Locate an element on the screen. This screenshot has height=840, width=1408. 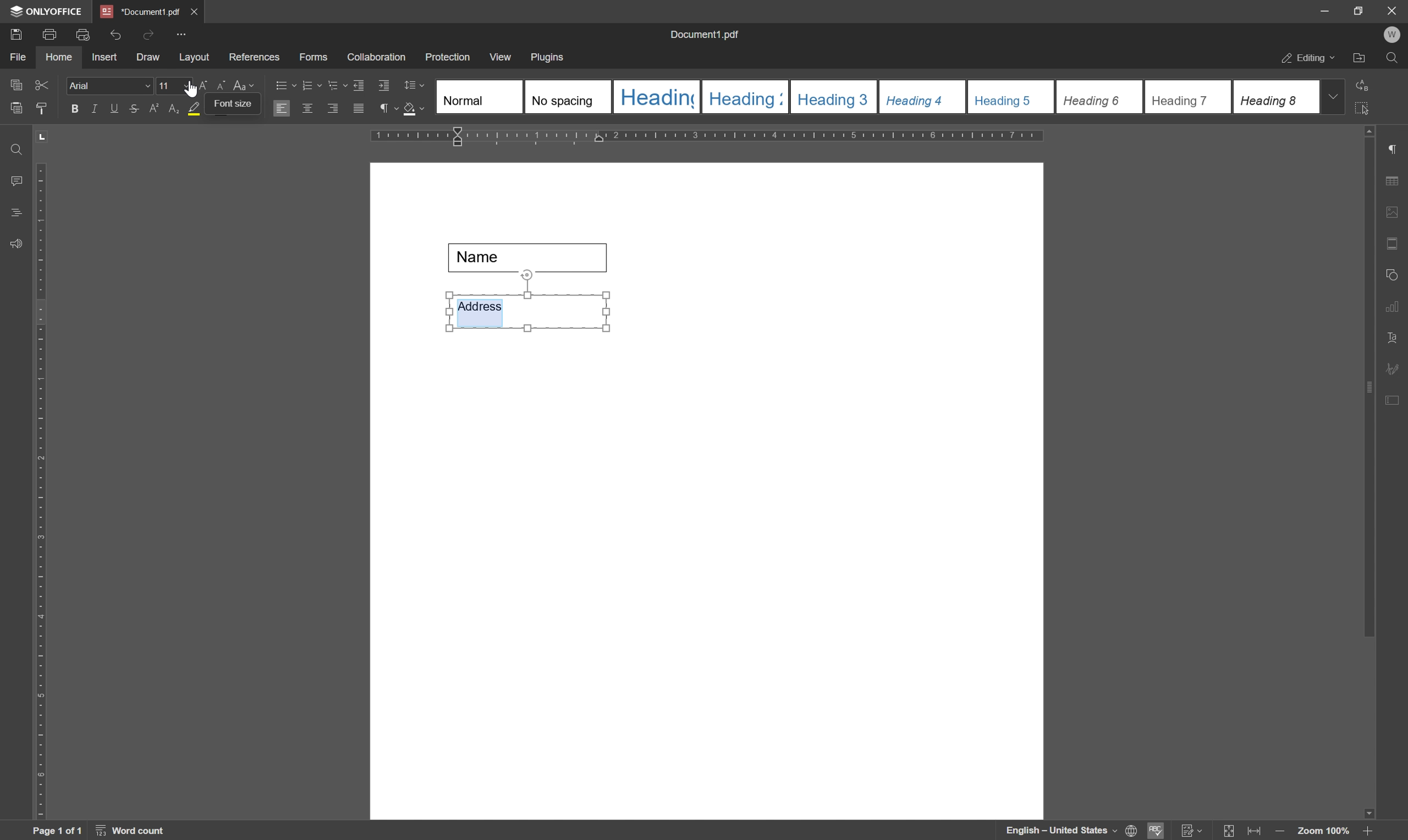
copy is located at coordinates (15, 83).